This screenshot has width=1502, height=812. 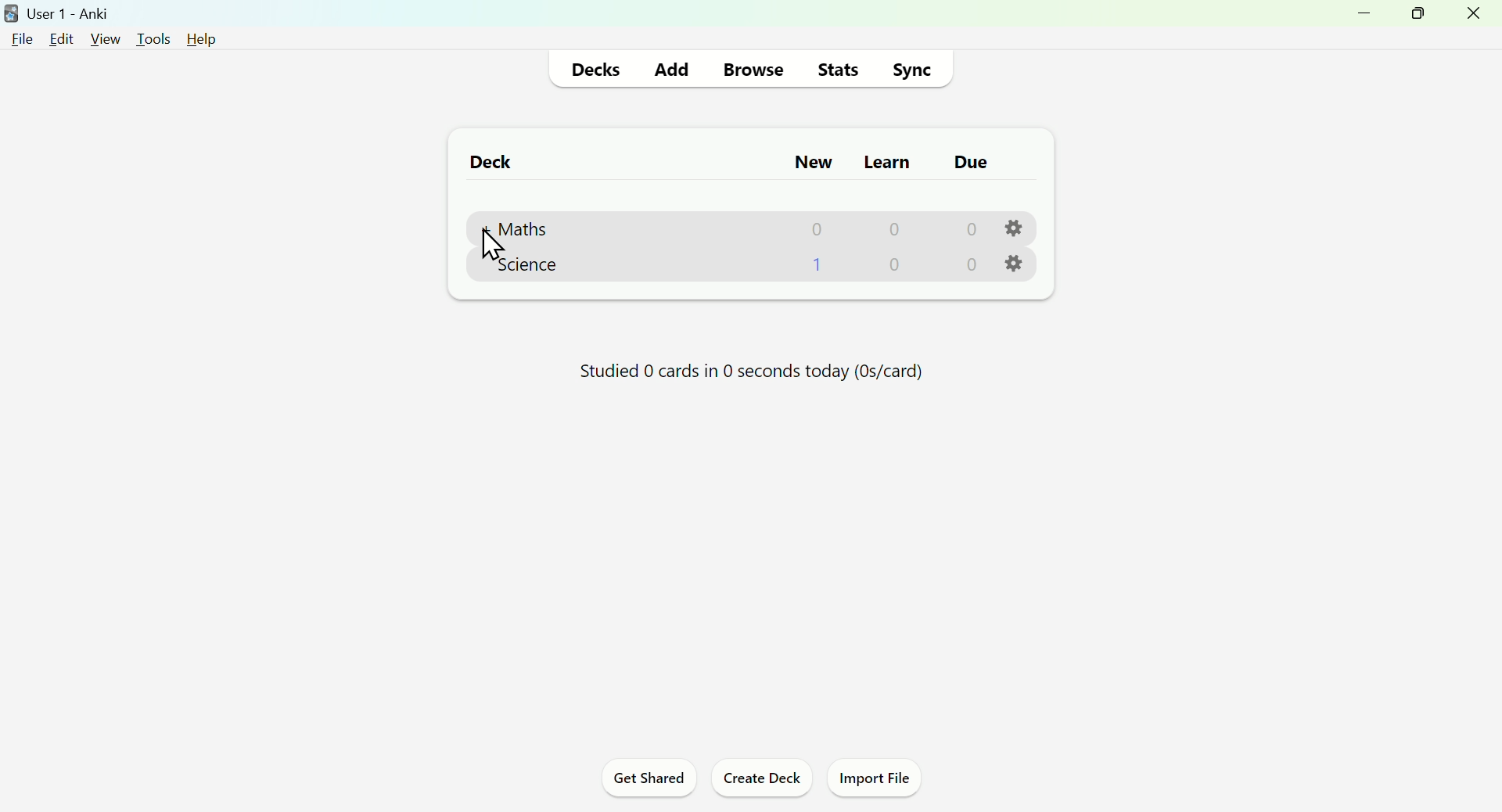 I want to click on Add, so click(x=672, y=66).